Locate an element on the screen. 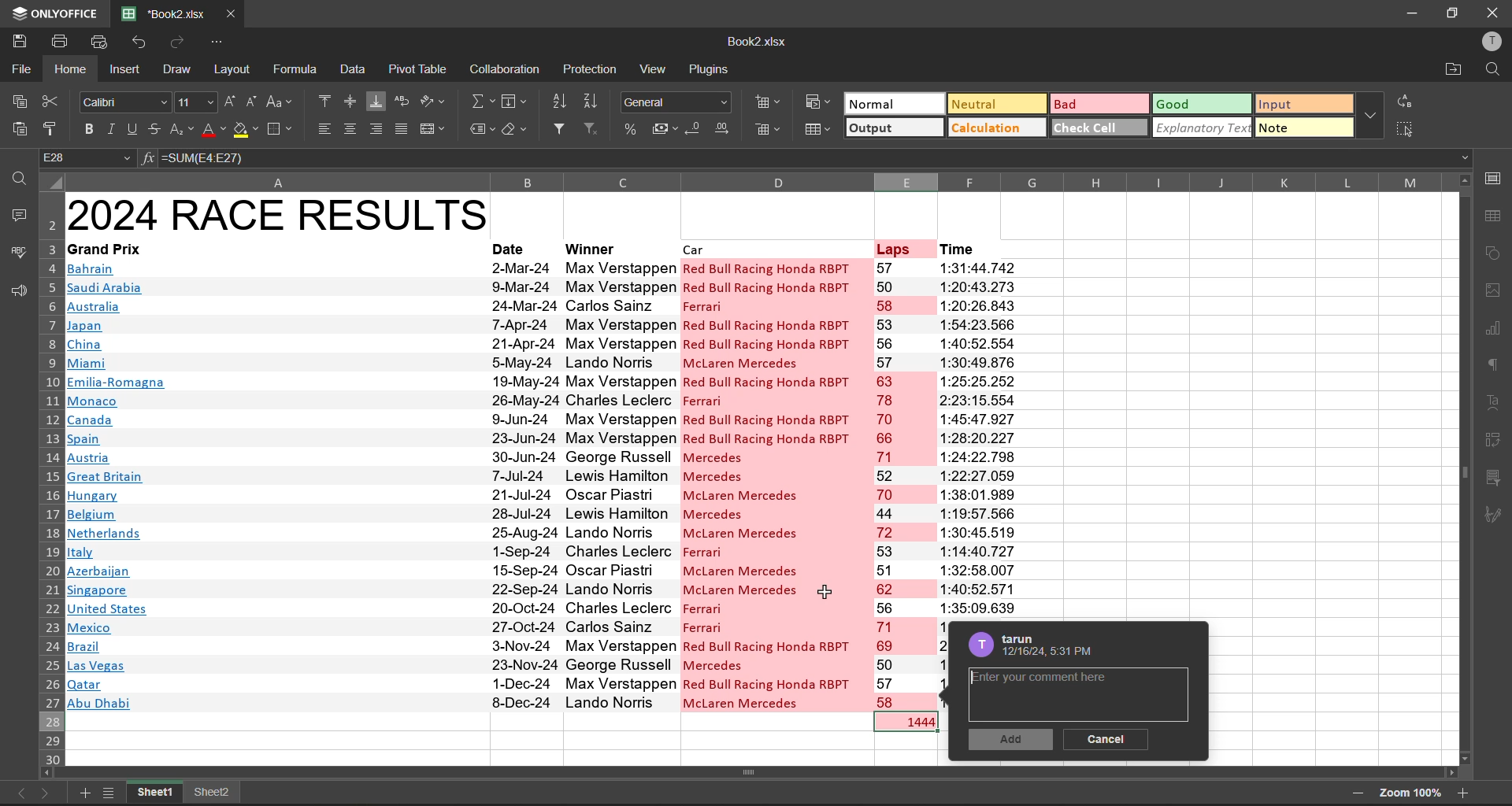 The height and width of the screenshot is (806, 1512). time is located at coordinates (980, 438).